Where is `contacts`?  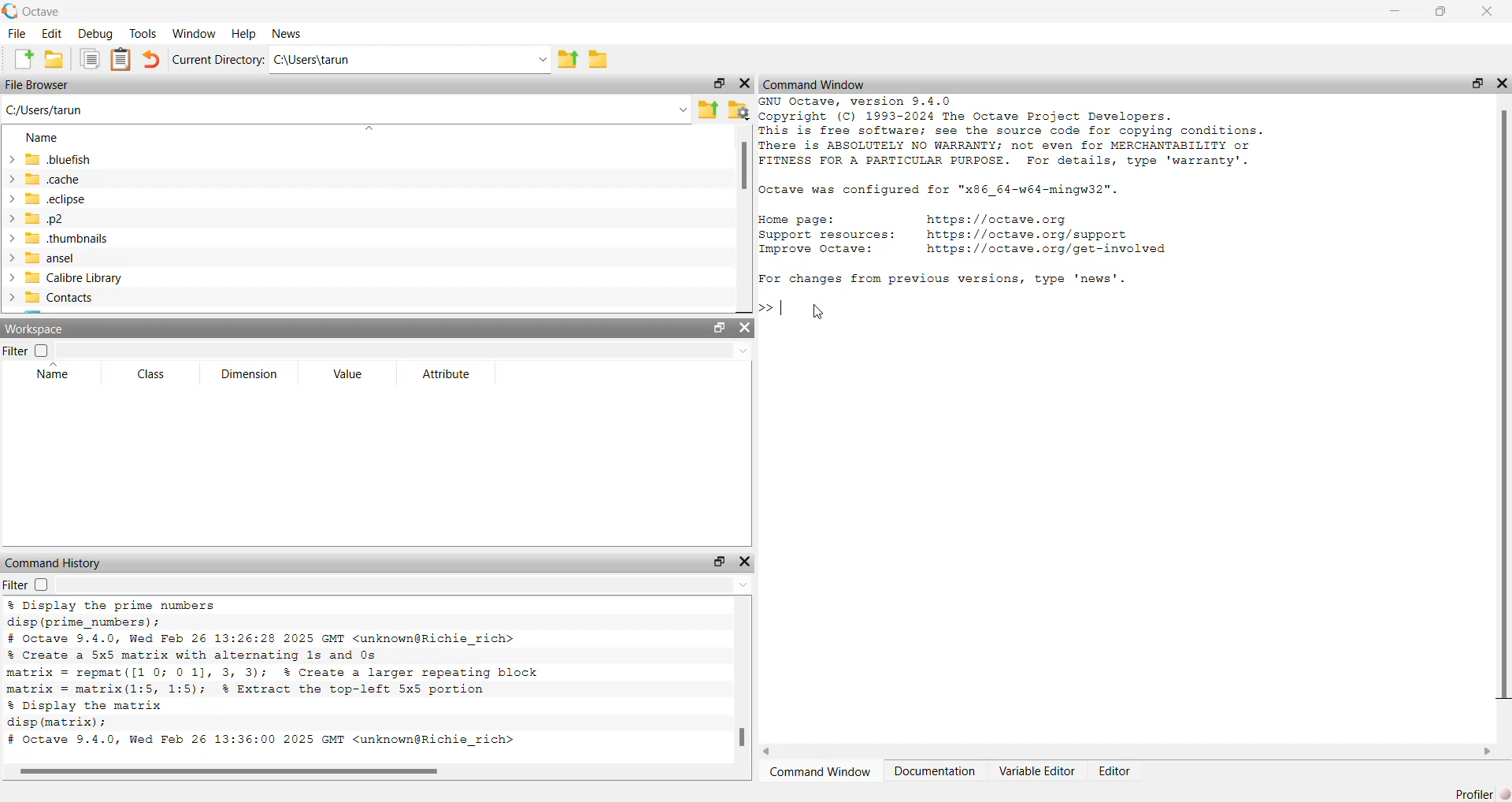
contacts is located at coordinates (75, 300).